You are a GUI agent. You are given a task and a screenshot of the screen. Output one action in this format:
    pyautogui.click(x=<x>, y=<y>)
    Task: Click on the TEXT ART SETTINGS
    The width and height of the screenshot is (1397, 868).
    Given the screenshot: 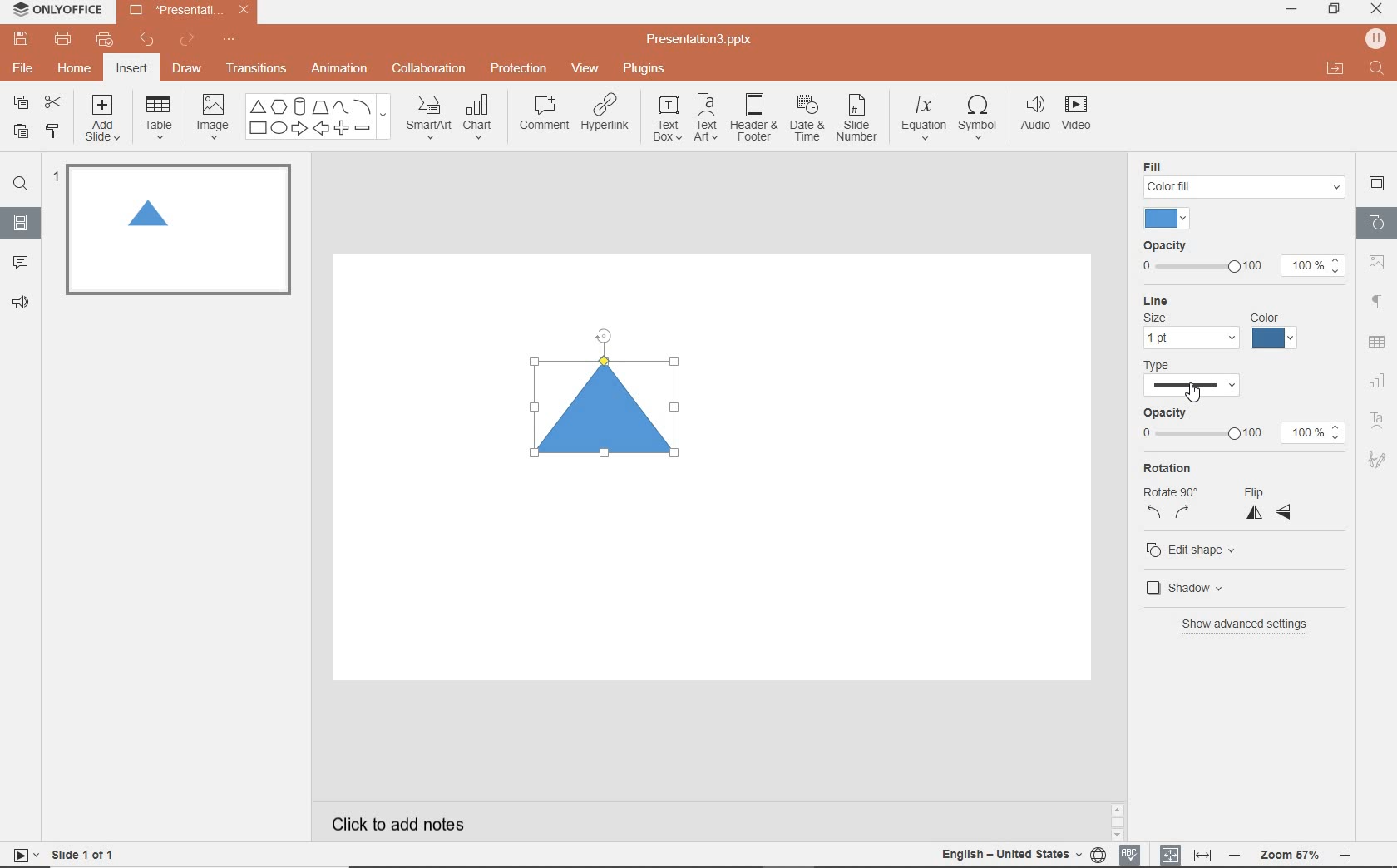 What is the action you would take?
    pyautogui.click(x=1378, y=422)
    